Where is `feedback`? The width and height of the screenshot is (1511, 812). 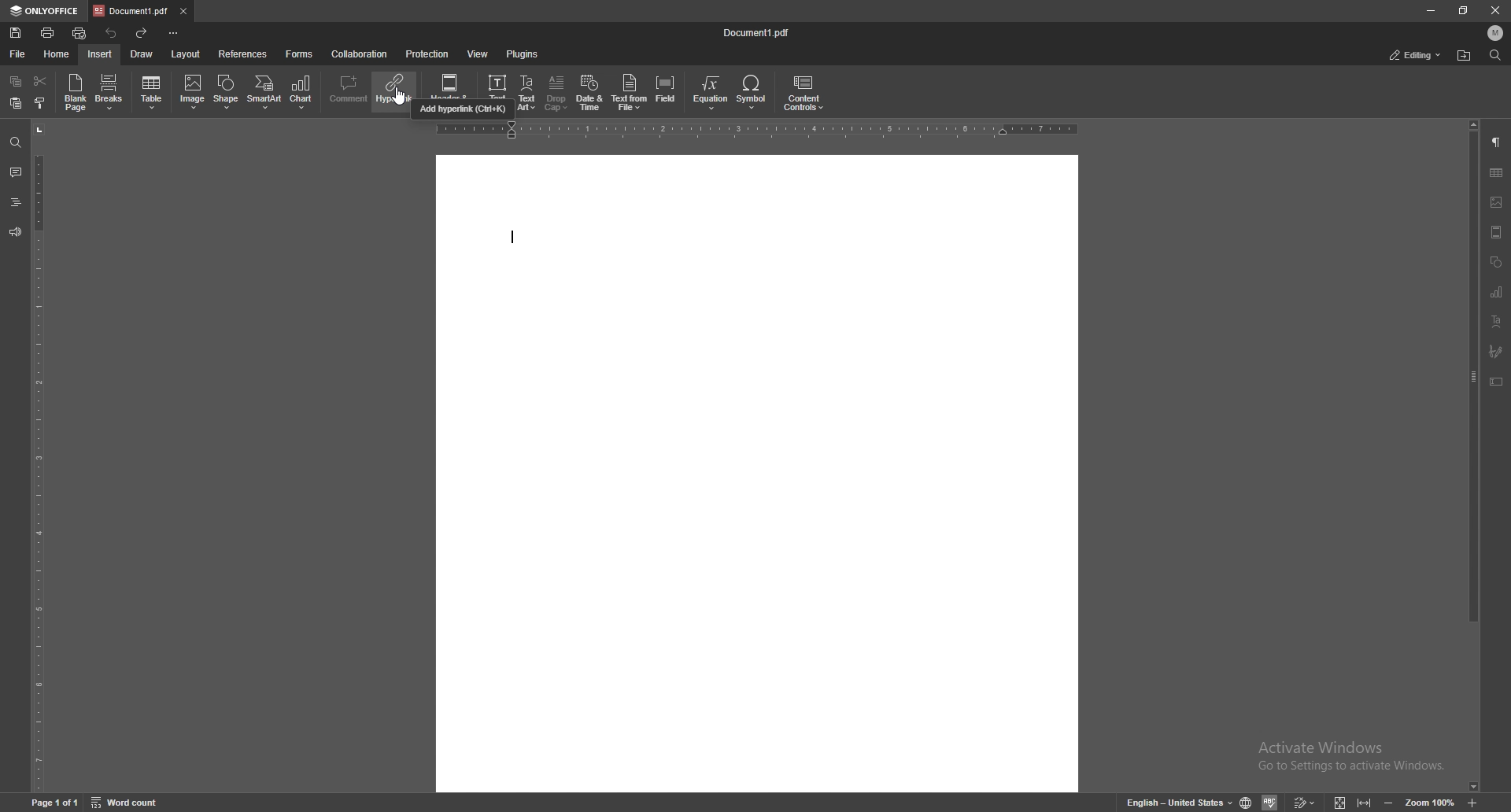
feedback is located at coordinates (15, 231).